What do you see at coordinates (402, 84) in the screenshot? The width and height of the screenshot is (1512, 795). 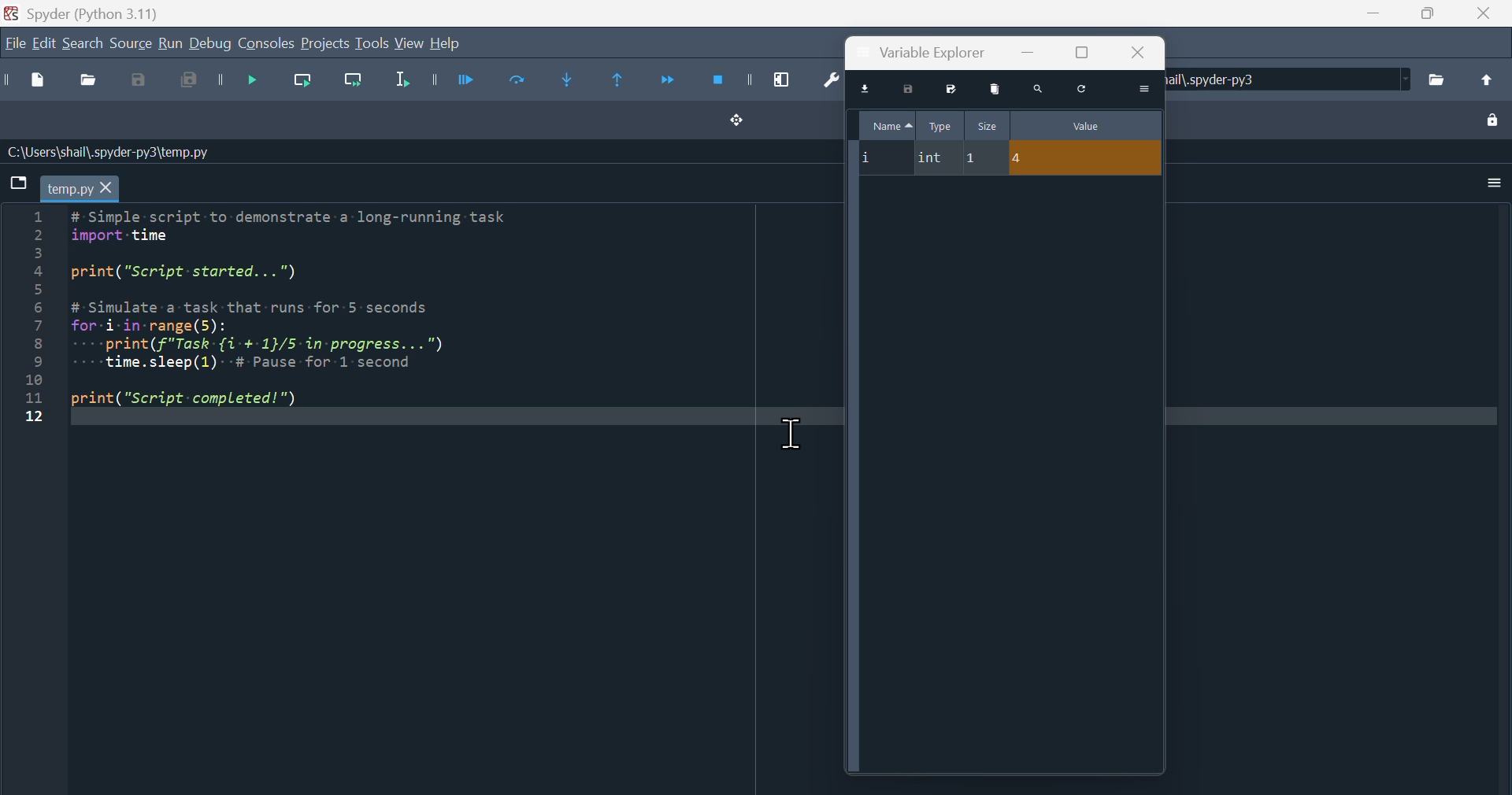 I see `Run selection` at bounding box center [402, 84].